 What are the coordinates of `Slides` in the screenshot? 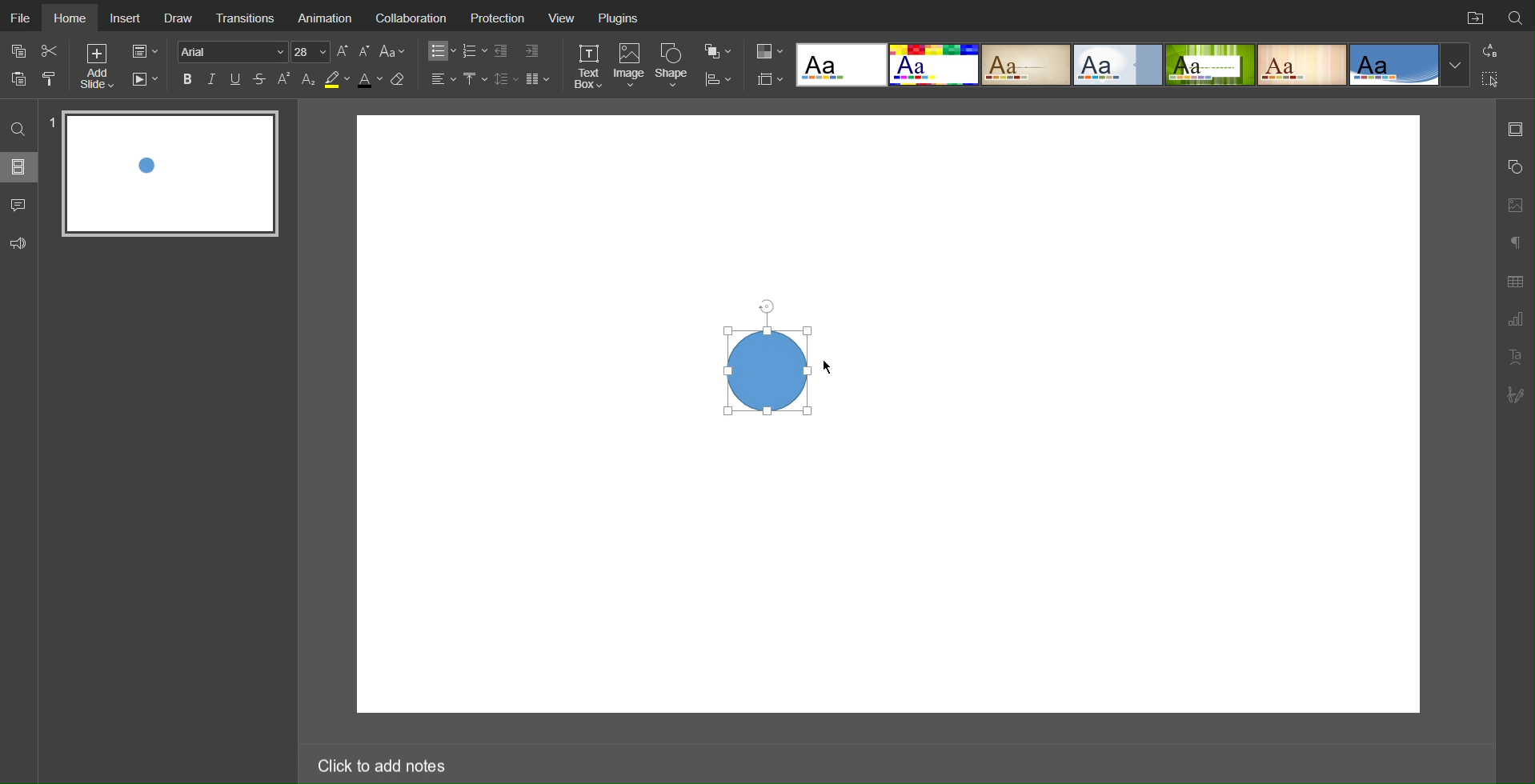 It's located at (20, 166).